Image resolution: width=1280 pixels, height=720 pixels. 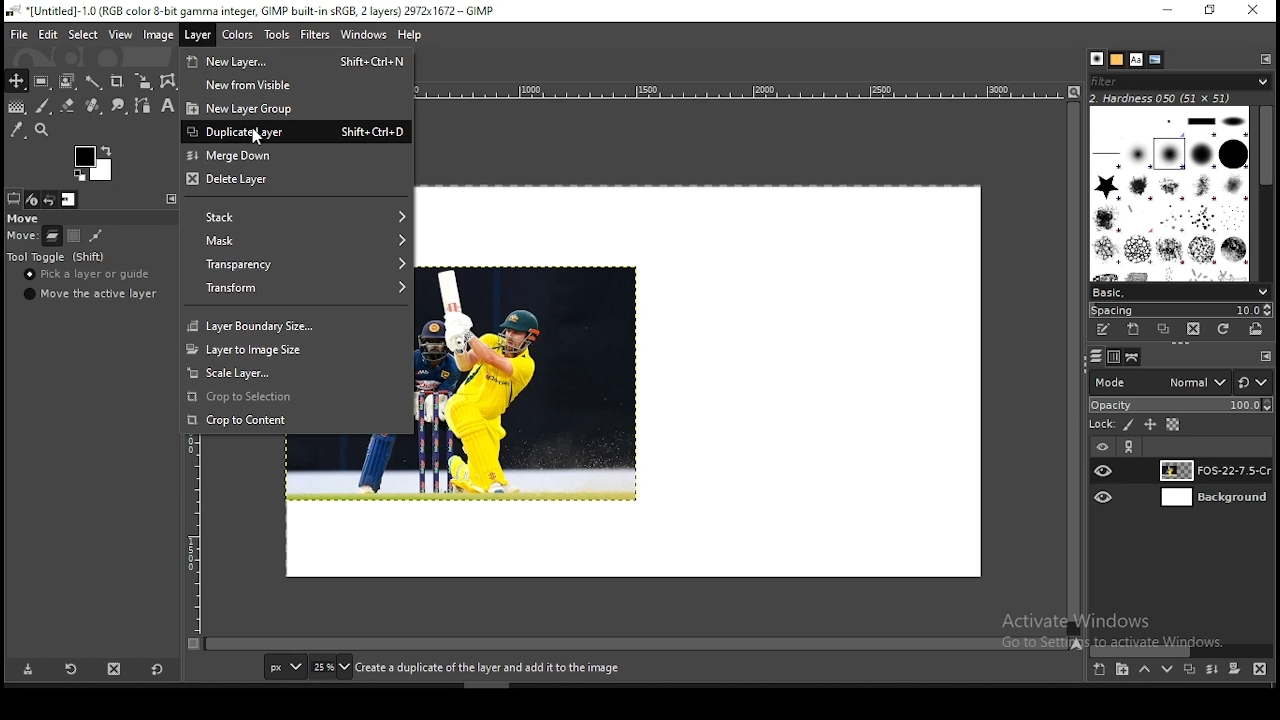 What do you see at coordinates (1156, 60) in the screenshot?
I see `document history` at bounding box center [1156, 60].